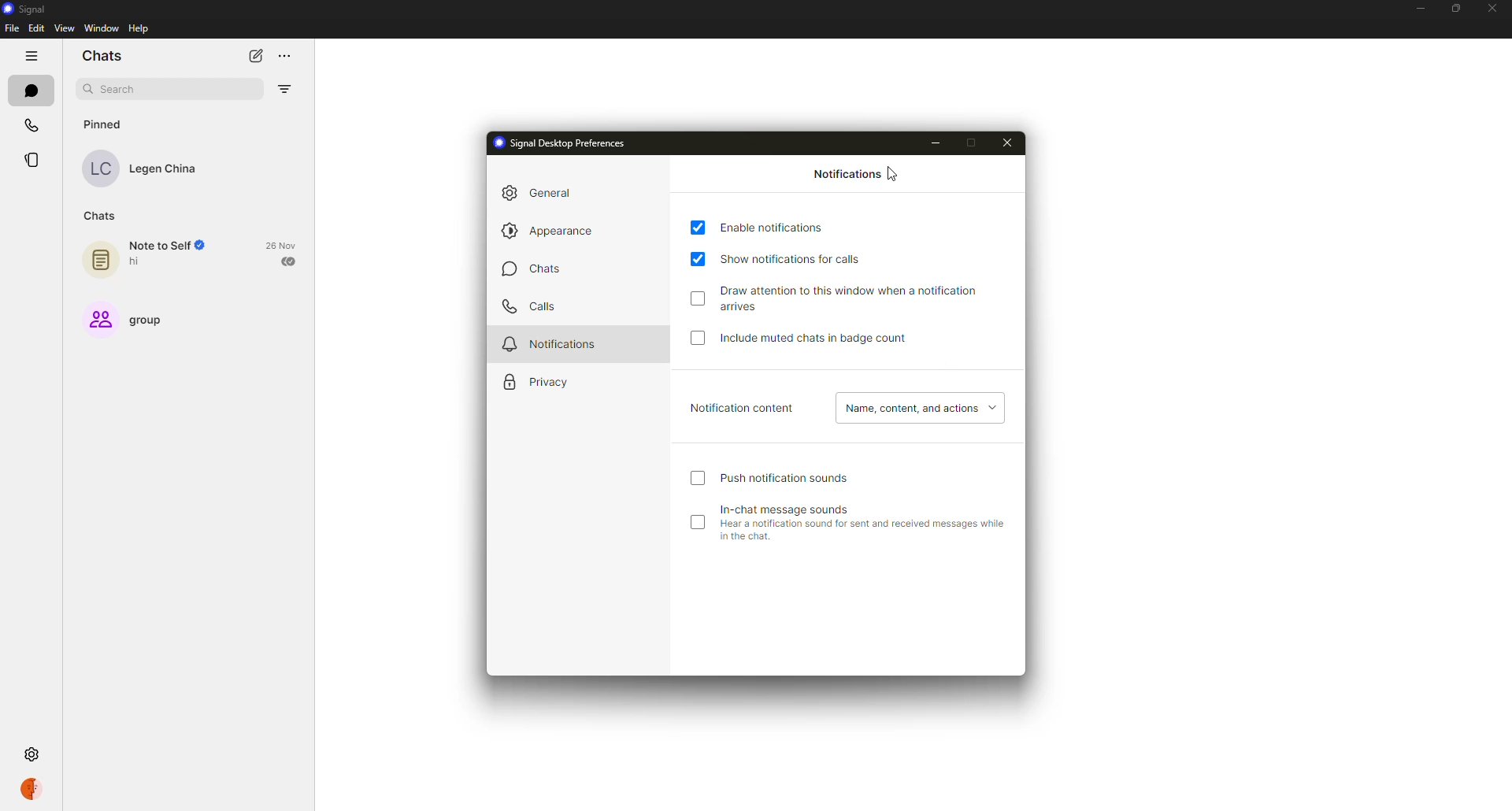 This screenshot has width=1512, height=811. I want to click on name, content, actions, so click(920, 409).